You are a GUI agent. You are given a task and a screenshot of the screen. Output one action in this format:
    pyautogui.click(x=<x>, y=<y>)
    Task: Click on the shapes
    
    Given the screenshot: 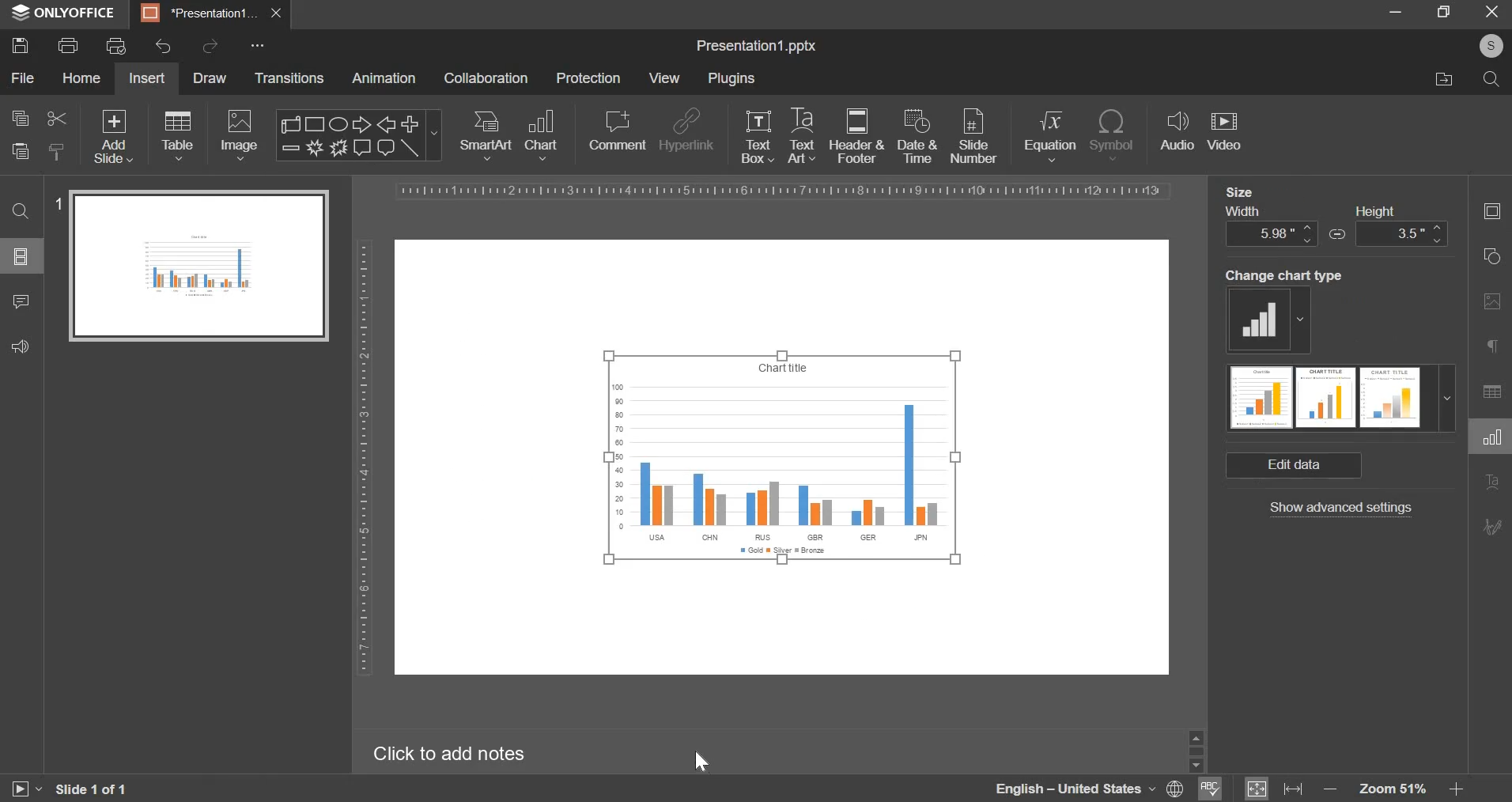 What is the action you would take?
    pyautogui.click(x=358, y=134)
    